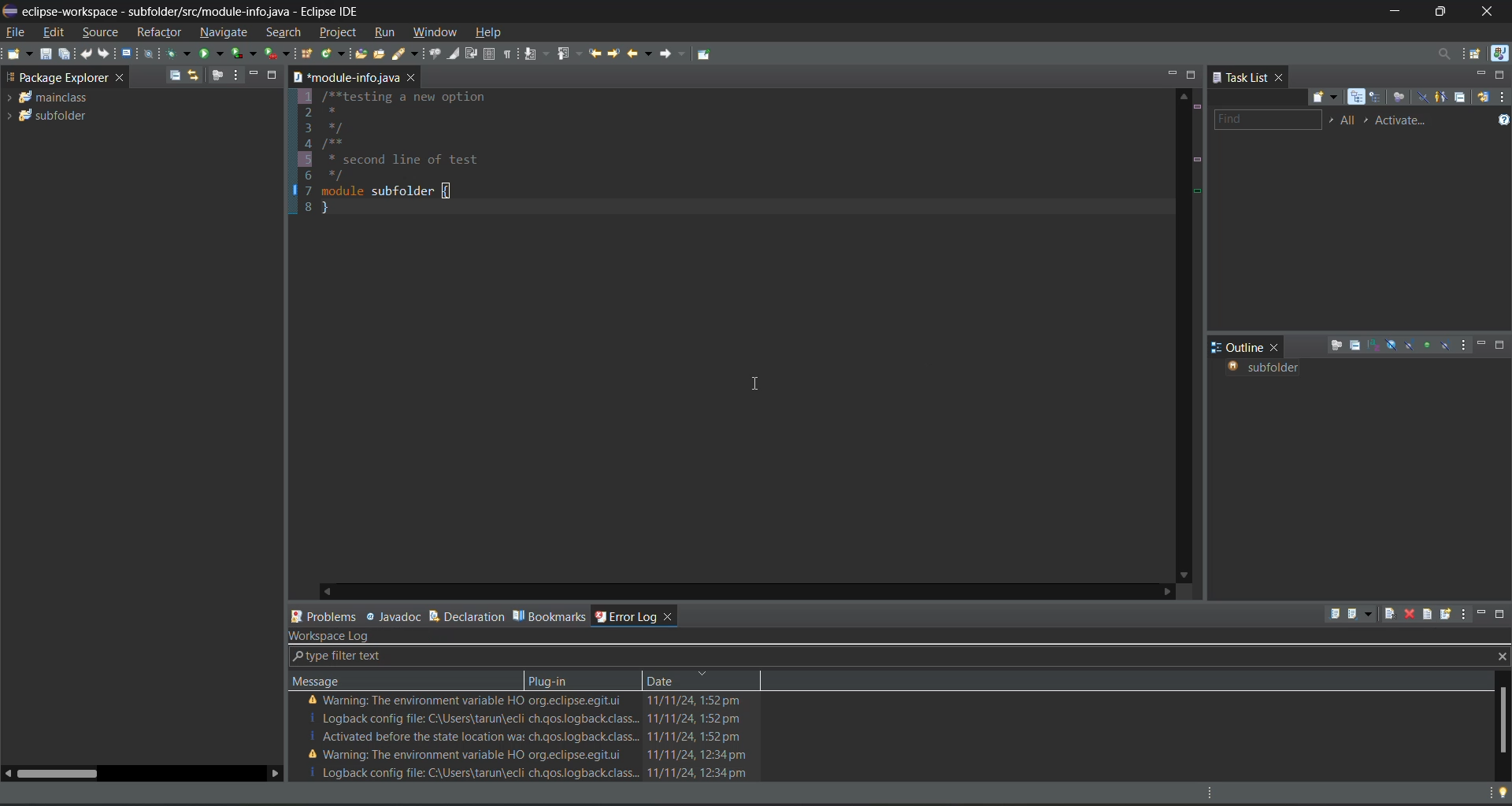 This screenshot has width=1512, height=806. I want to click on sort, so click(1374, 344).